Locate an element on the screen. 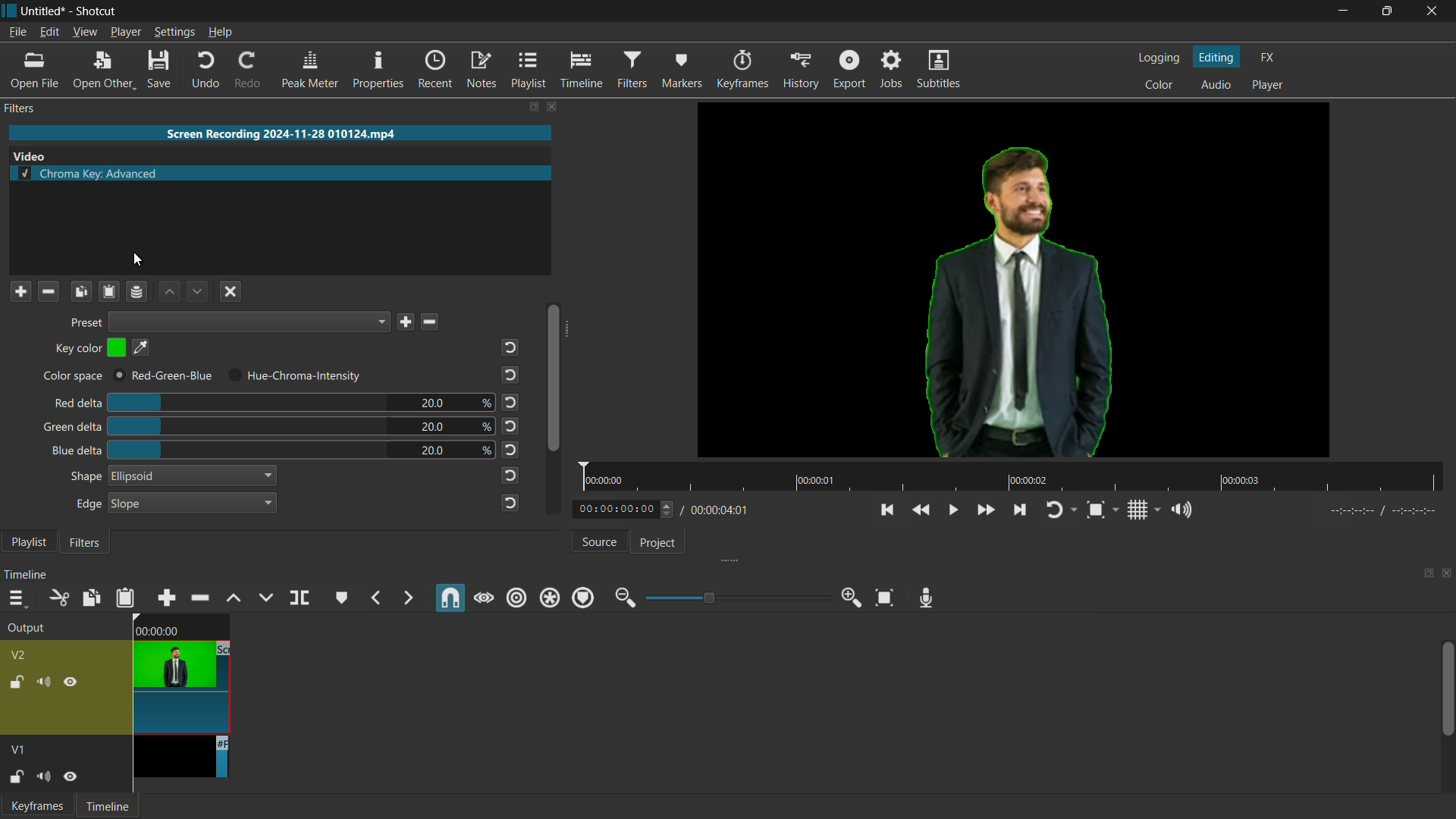  record audio is located at coordinates (929, 598).